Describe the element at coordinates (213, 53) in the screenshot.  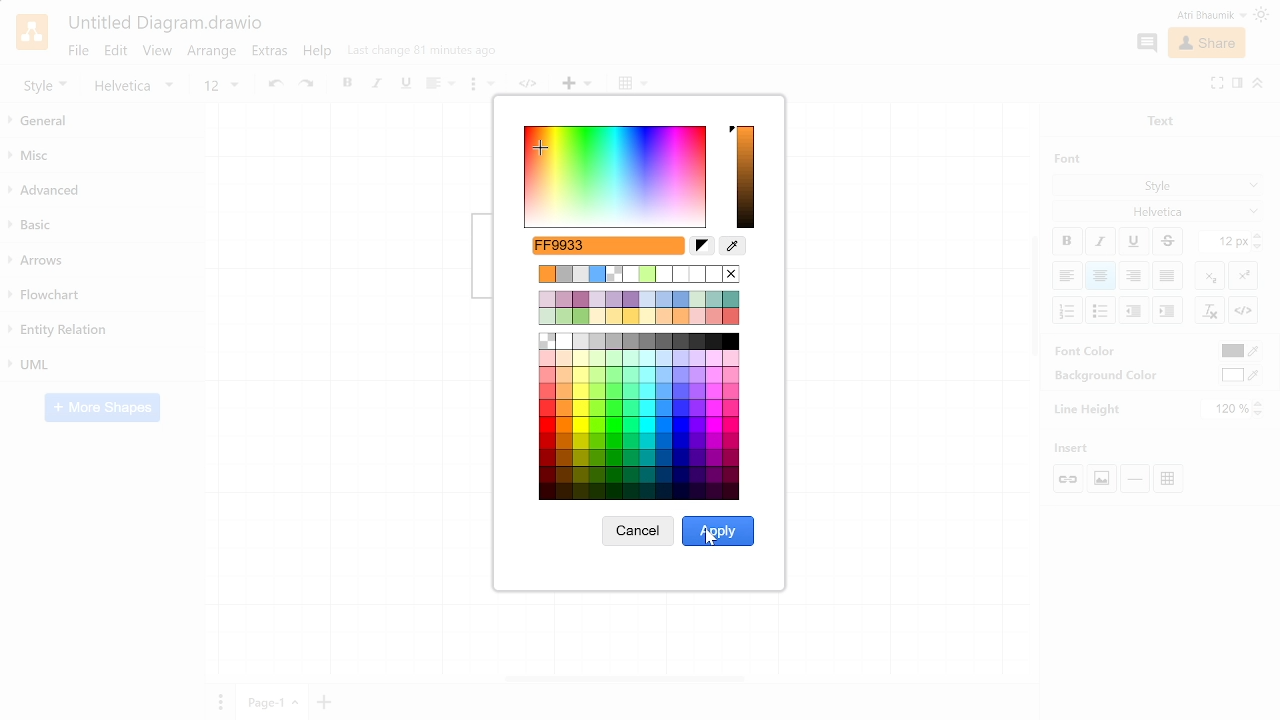
I see `Arrange` at that location.